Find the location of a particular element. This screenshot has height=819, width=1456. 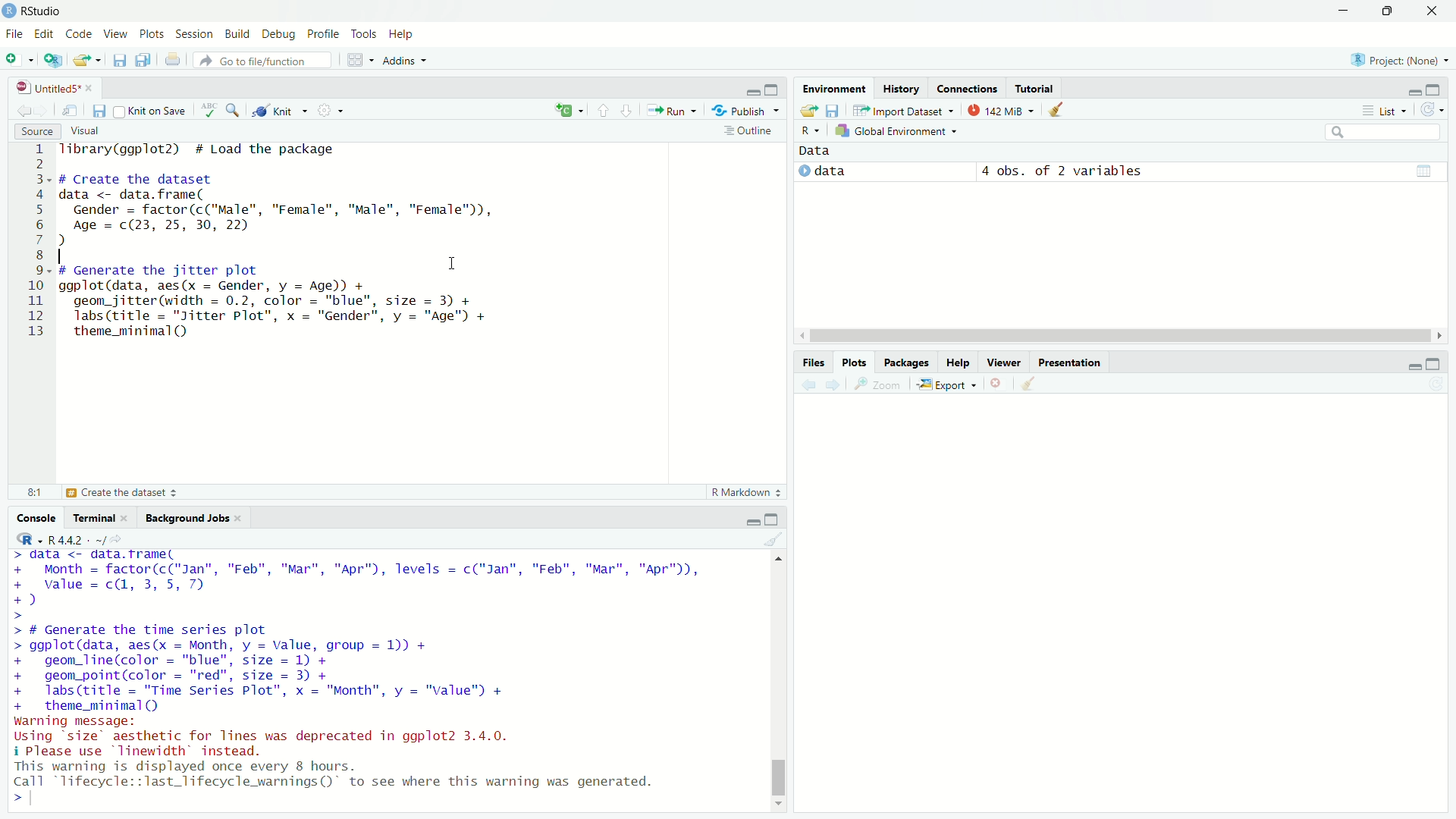

warning message is located at coordinates (272, 736).